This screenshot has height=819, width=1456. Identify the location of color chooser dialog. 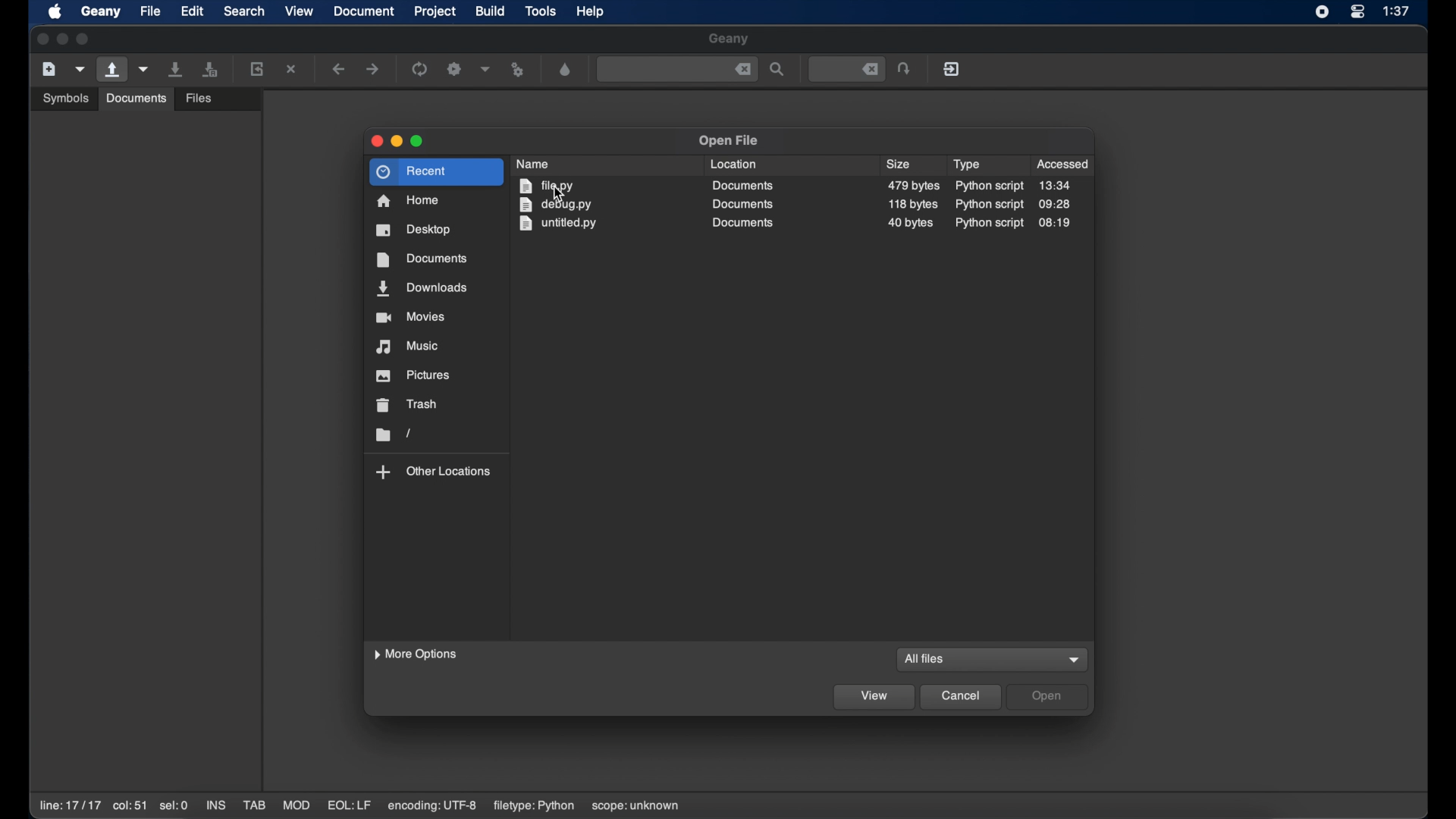
(565, 69).